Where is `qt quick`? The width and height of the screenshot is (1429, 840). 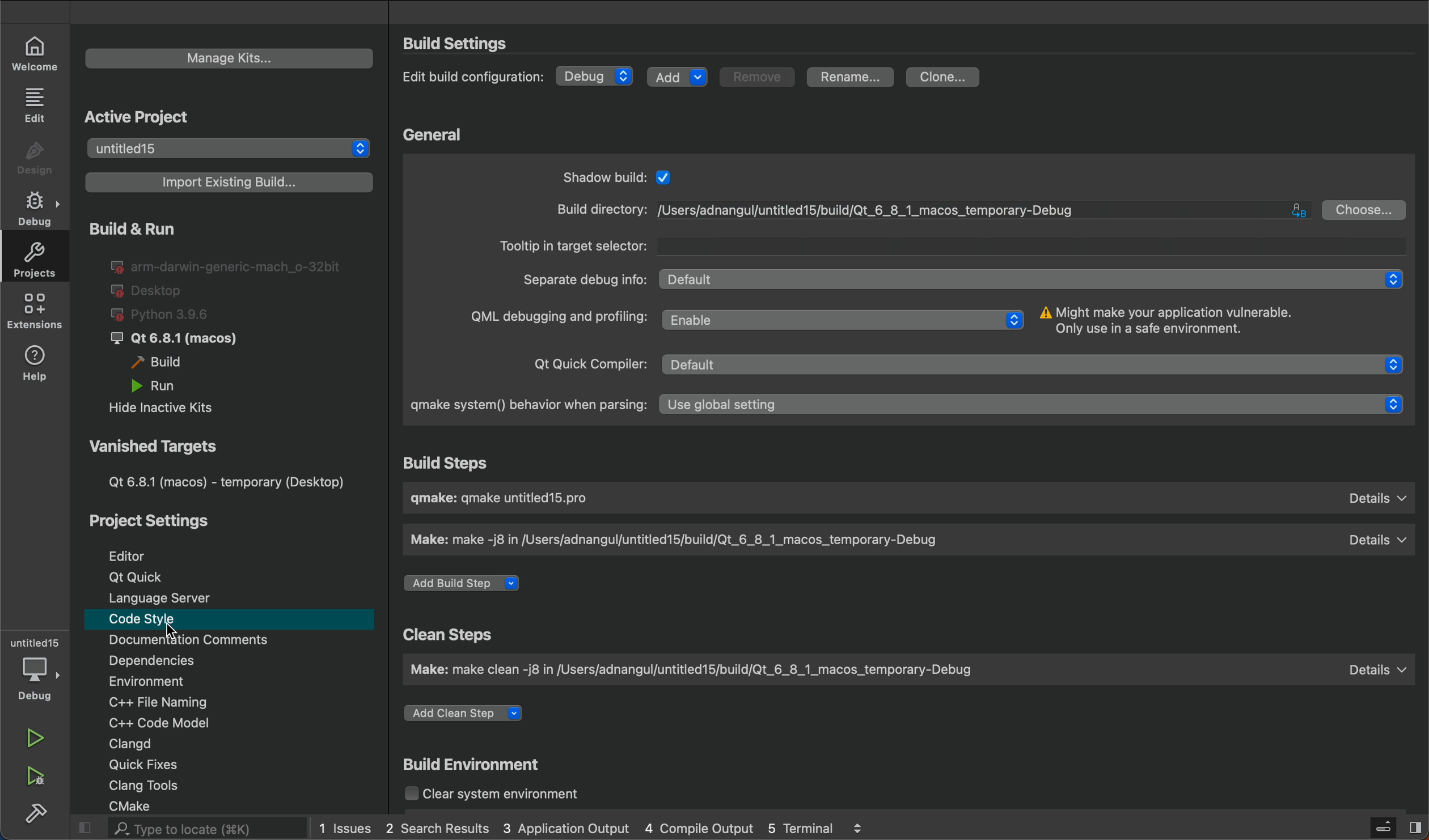
qt quick is located at coordinates (133, 577).